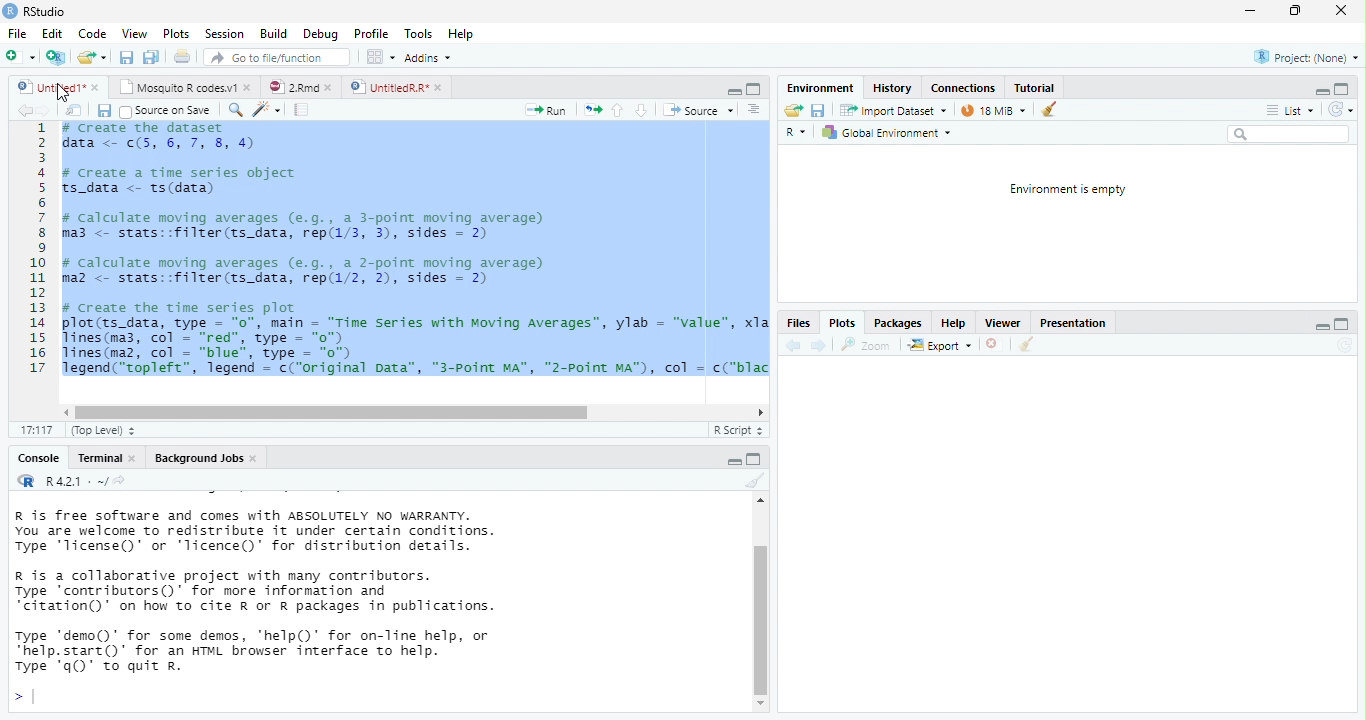  Describe the element at coordinates (24, 110) in the screenshot. I see `back` at that location.